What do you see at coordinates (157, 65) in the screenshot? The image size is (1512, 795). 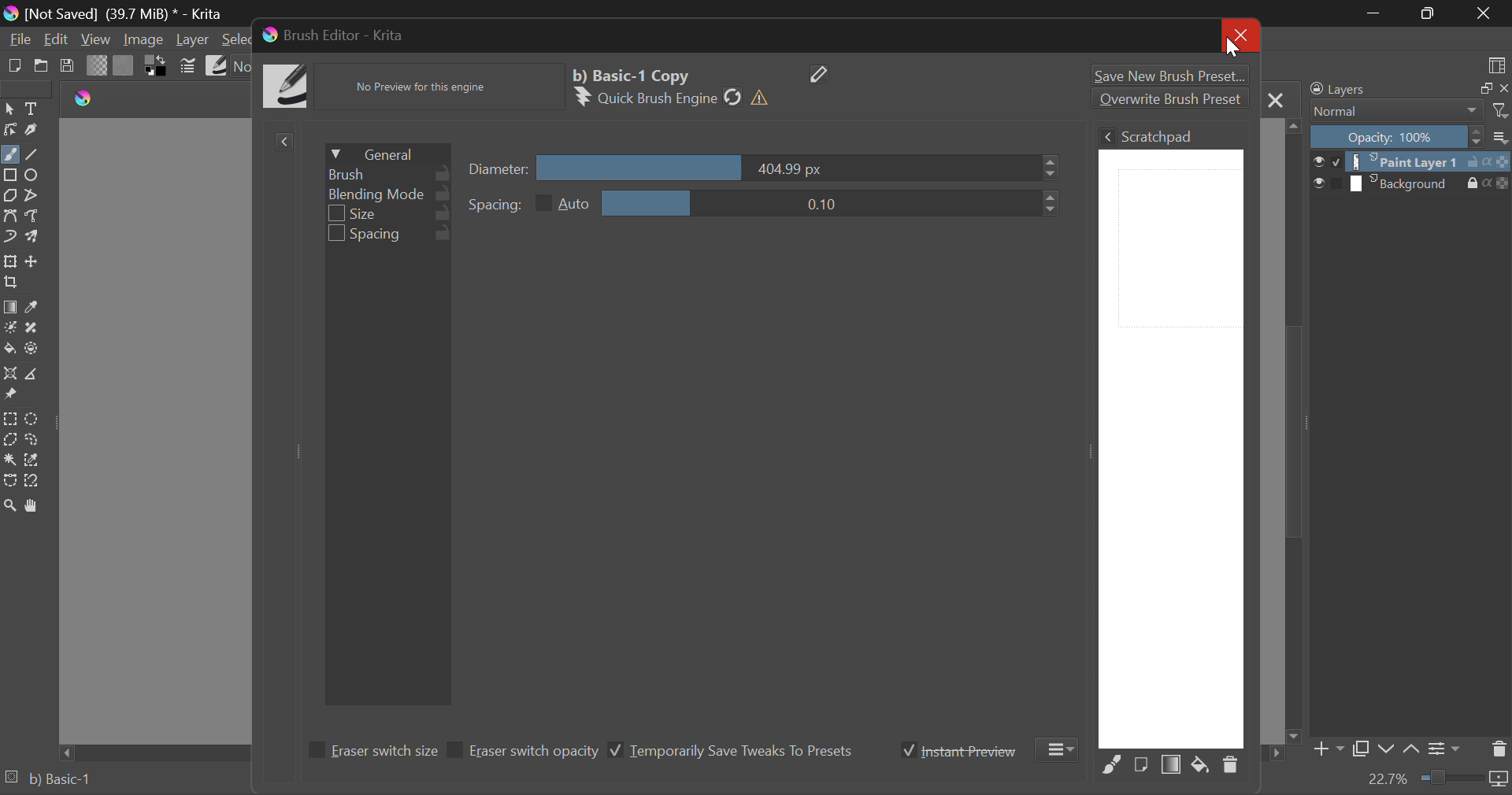 I see `Colors in Use` at bounding box center [157, 65].